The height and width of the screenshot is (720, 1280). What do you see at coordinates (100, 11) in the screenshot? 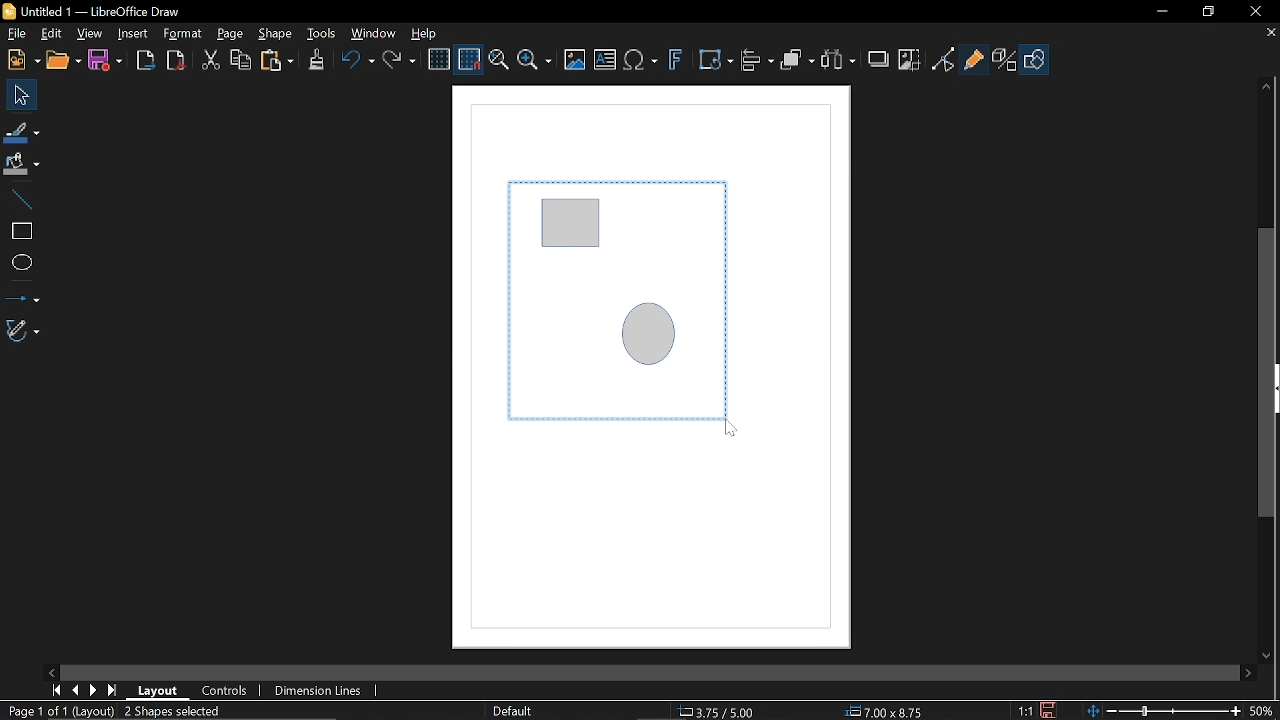
I see `Current window` at bounding box center [100, 11].